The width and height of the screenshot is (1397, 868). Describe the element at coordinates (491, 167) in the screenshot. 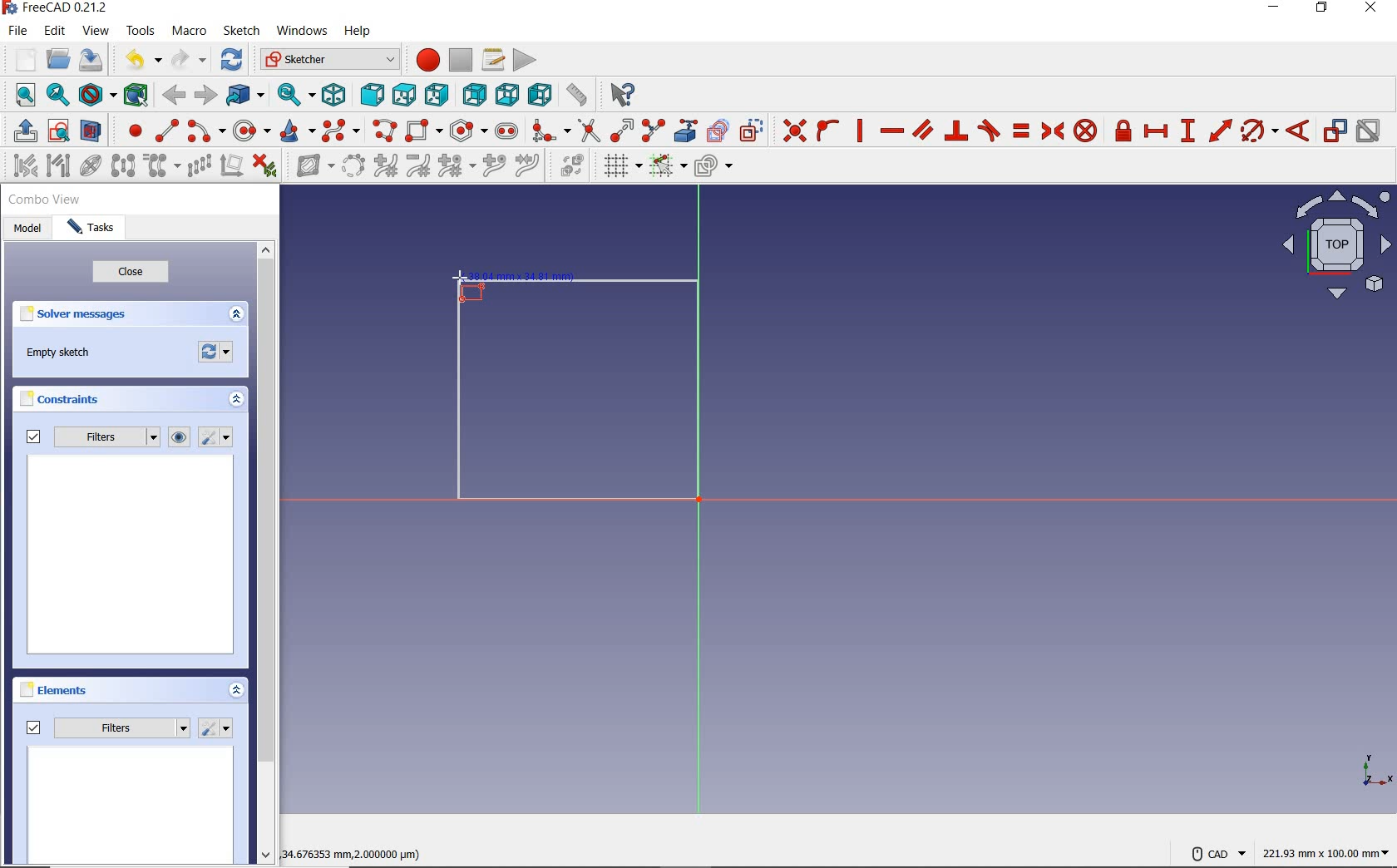

I see `increase B-Spline degree` at that location.